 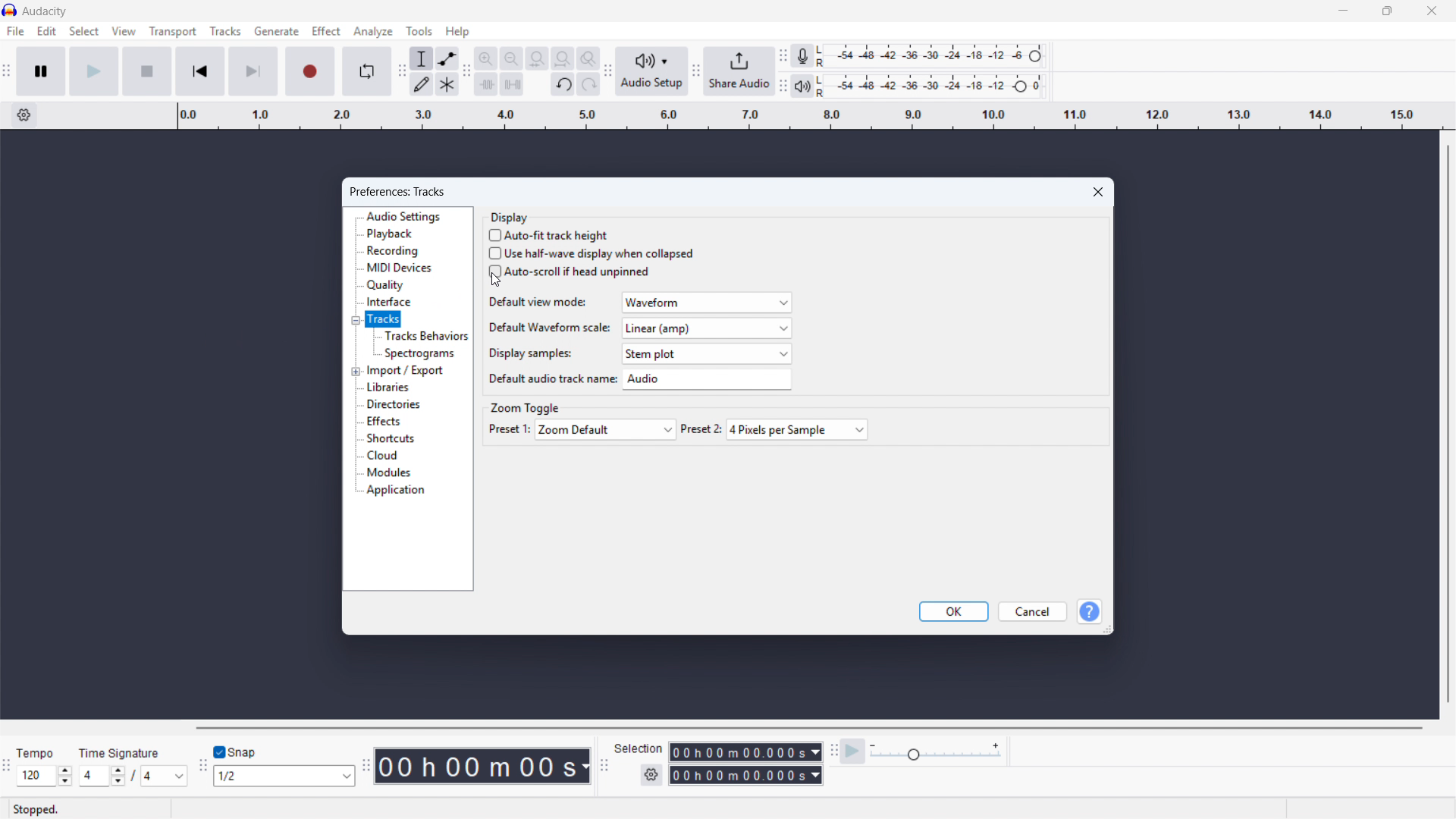 I want to click on enable loop, so click(x=366, y=72).